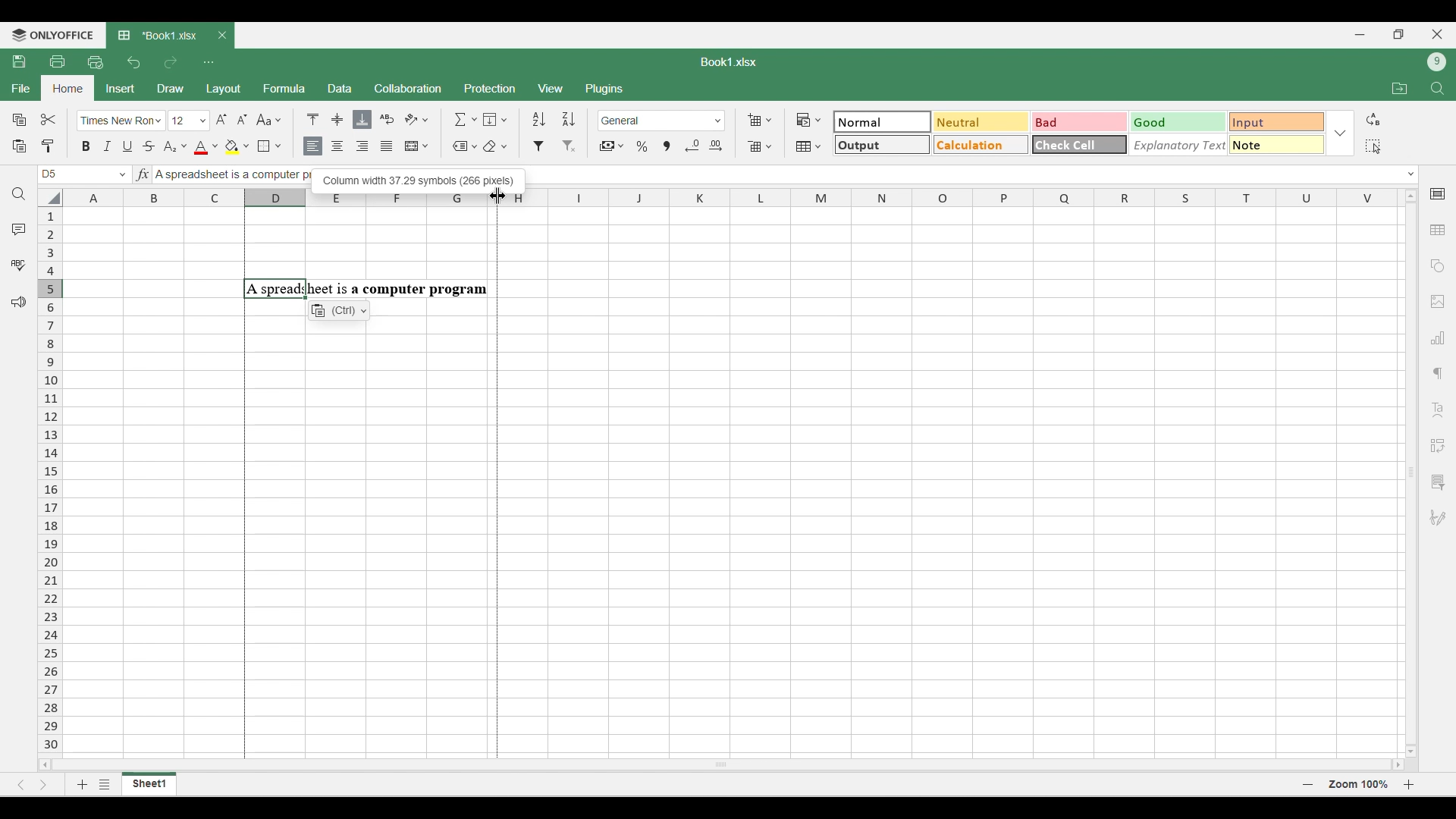 The height and width of the screenshot is (819, 1456). What do you see at coordinates (729, 62) in the screenshot?
I see `Book1.xlsx` at bounding box center [729, 62].